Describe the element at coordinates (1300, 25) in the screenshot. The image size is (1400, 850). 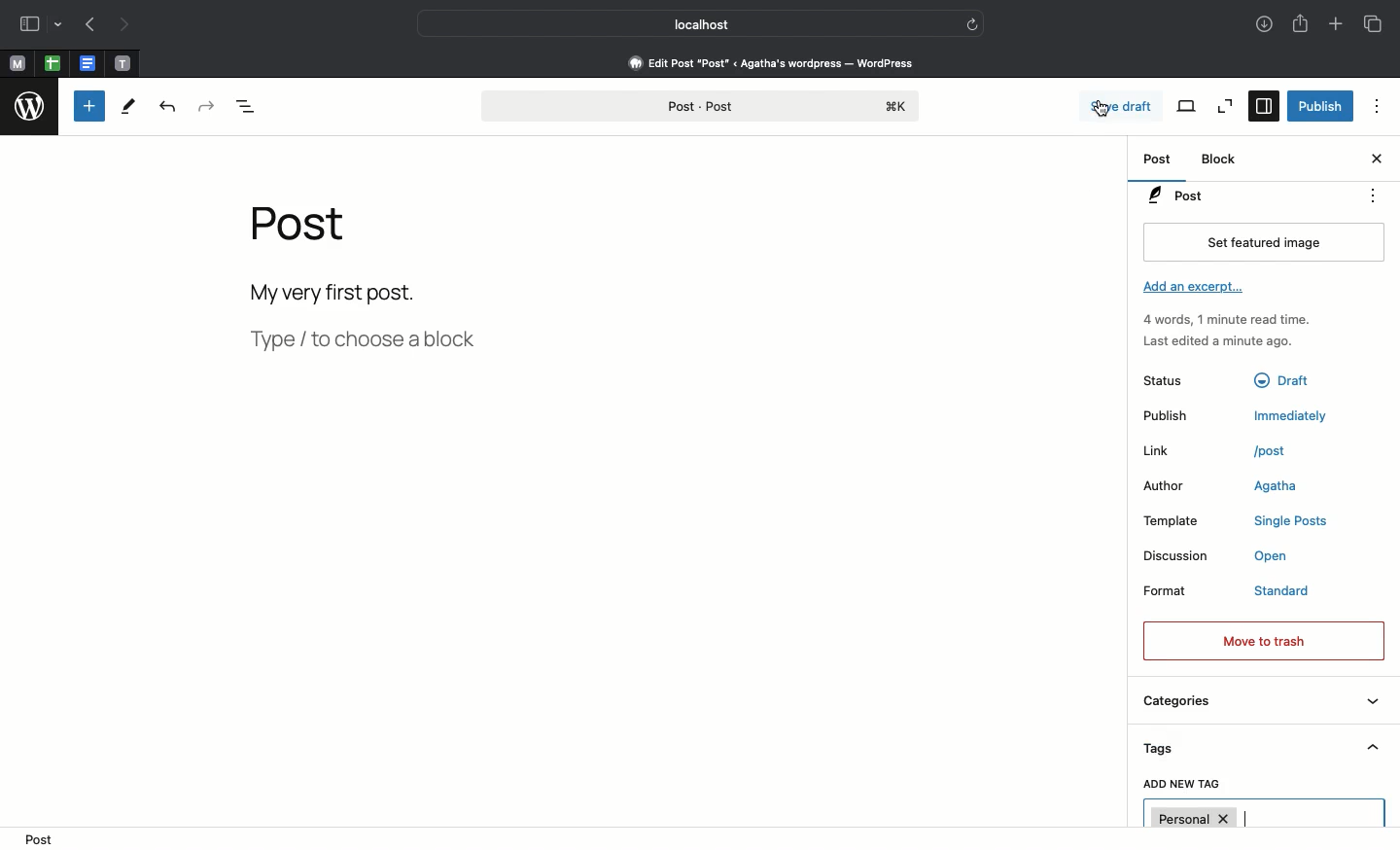
I see `Share` at that location.